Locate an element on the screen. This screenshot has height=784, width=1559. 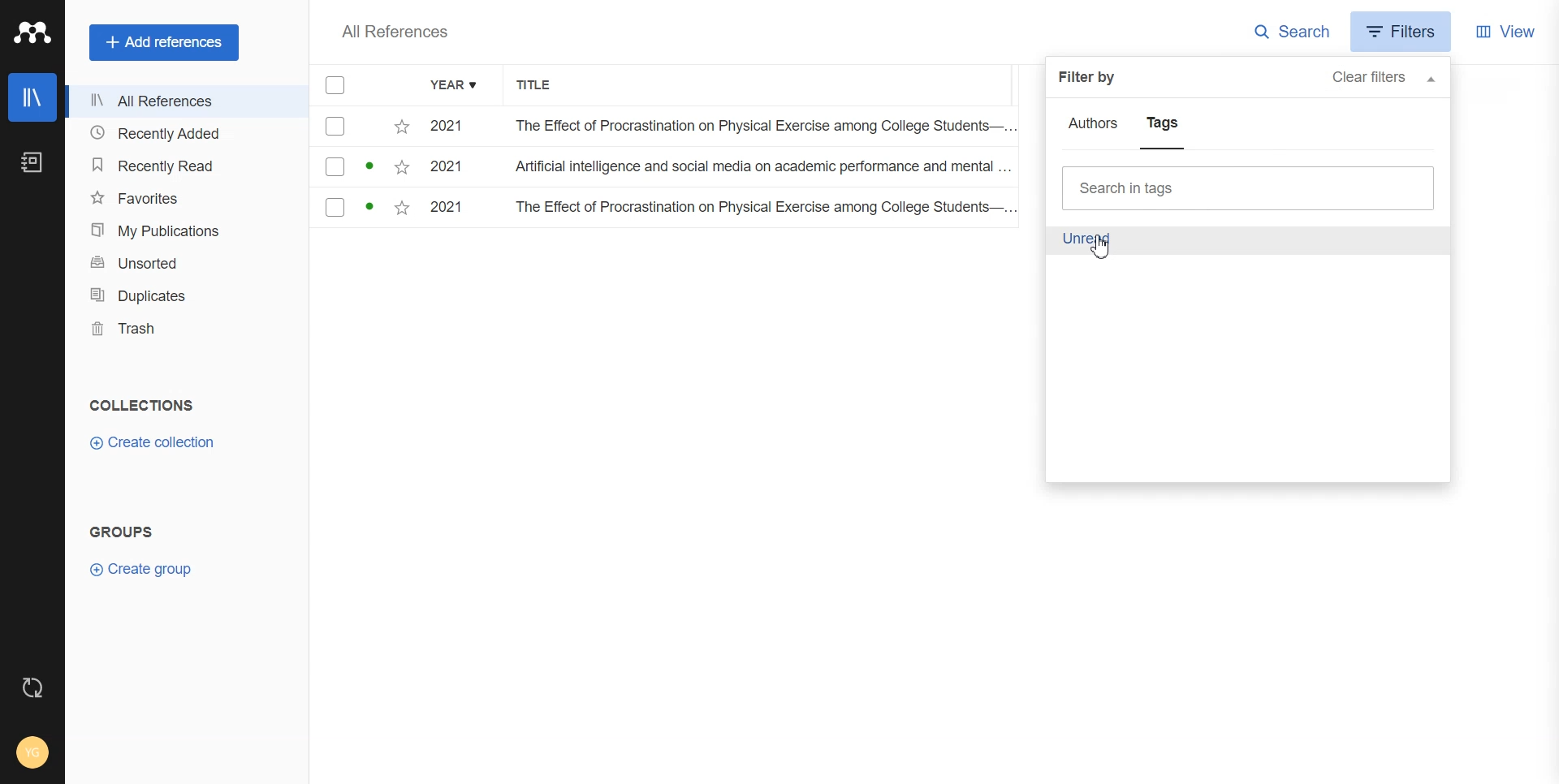
Auto sync is located at coordinates (32, 687).